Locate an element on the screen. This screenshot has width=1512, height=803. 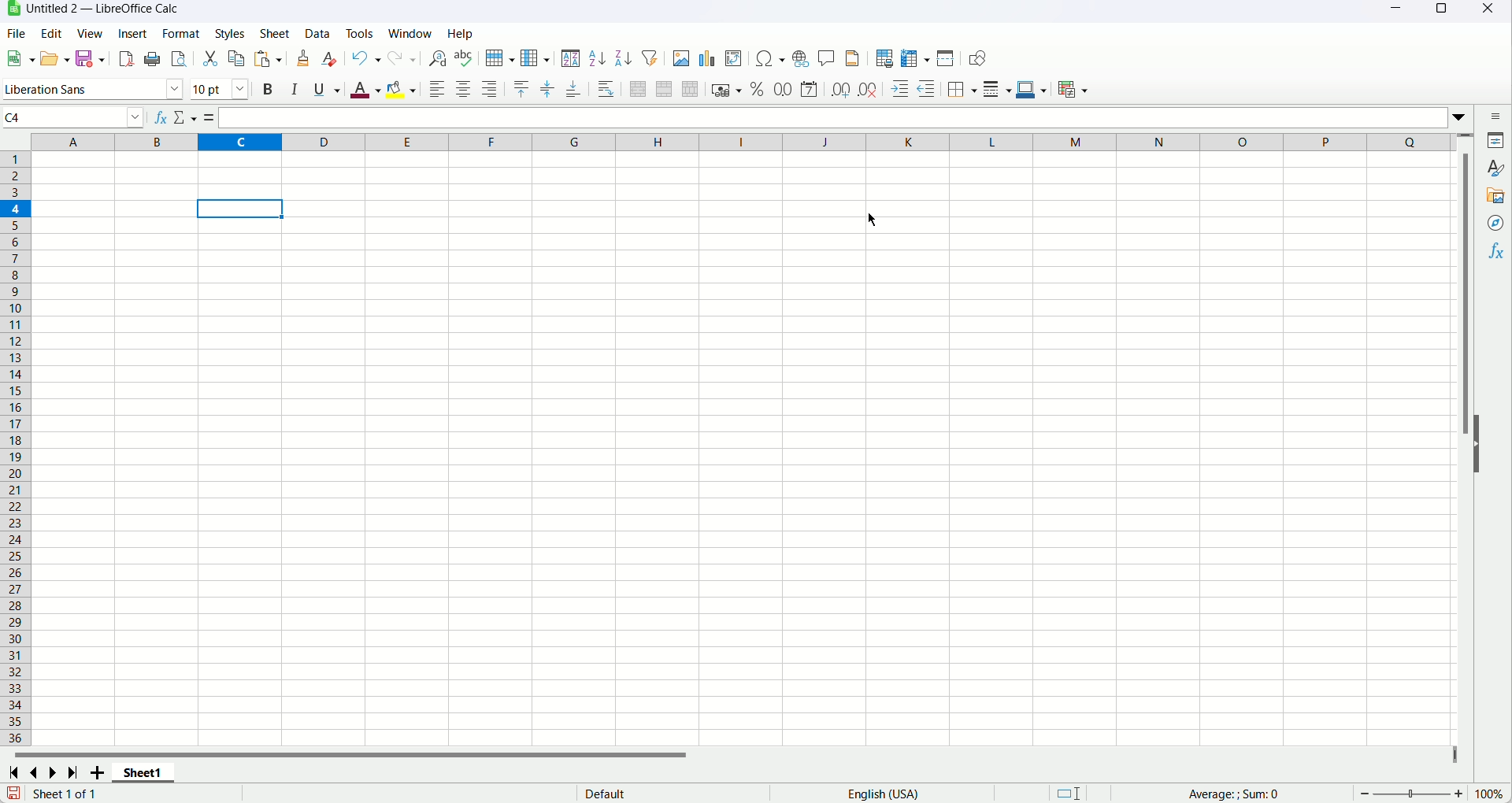
text is located at coordinates (614, 794).